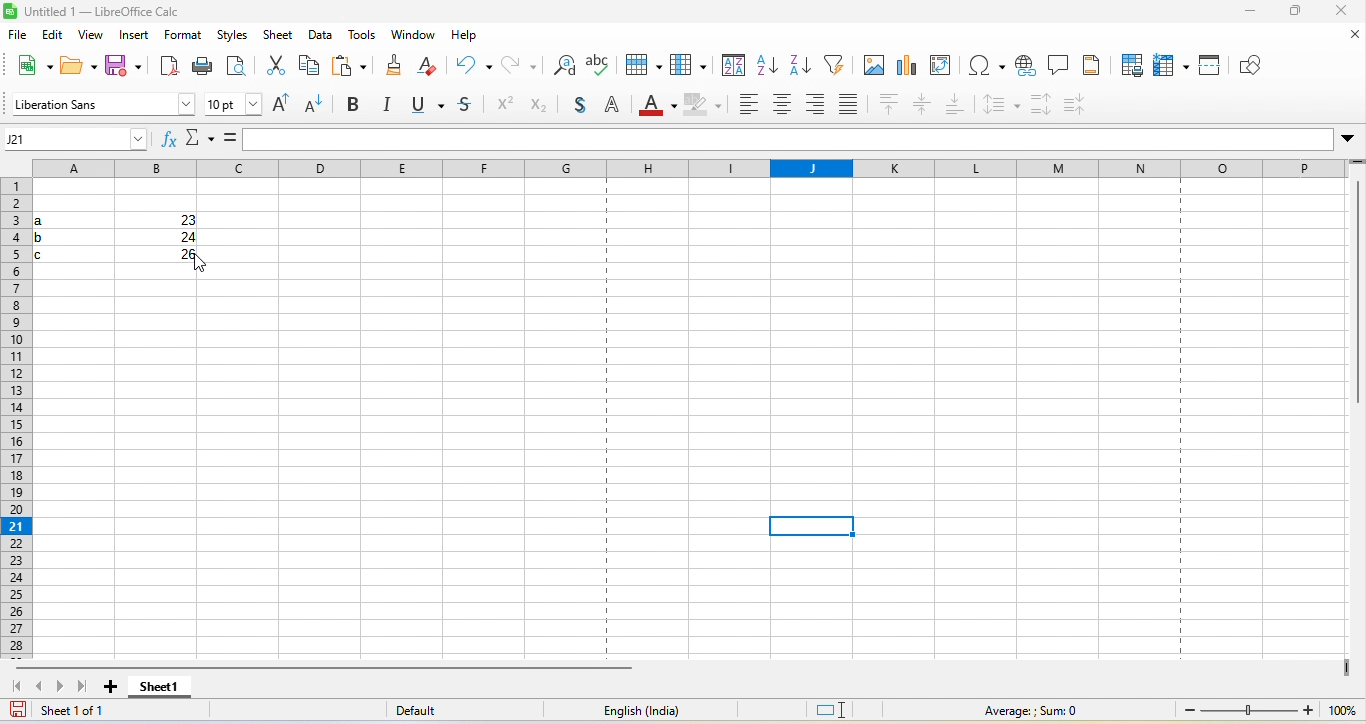 Image resolution: width=1366 pixels, height=724 pixels. Describe the element at coordinates (134, 36) in the screenshot. I see `insert` at that location.